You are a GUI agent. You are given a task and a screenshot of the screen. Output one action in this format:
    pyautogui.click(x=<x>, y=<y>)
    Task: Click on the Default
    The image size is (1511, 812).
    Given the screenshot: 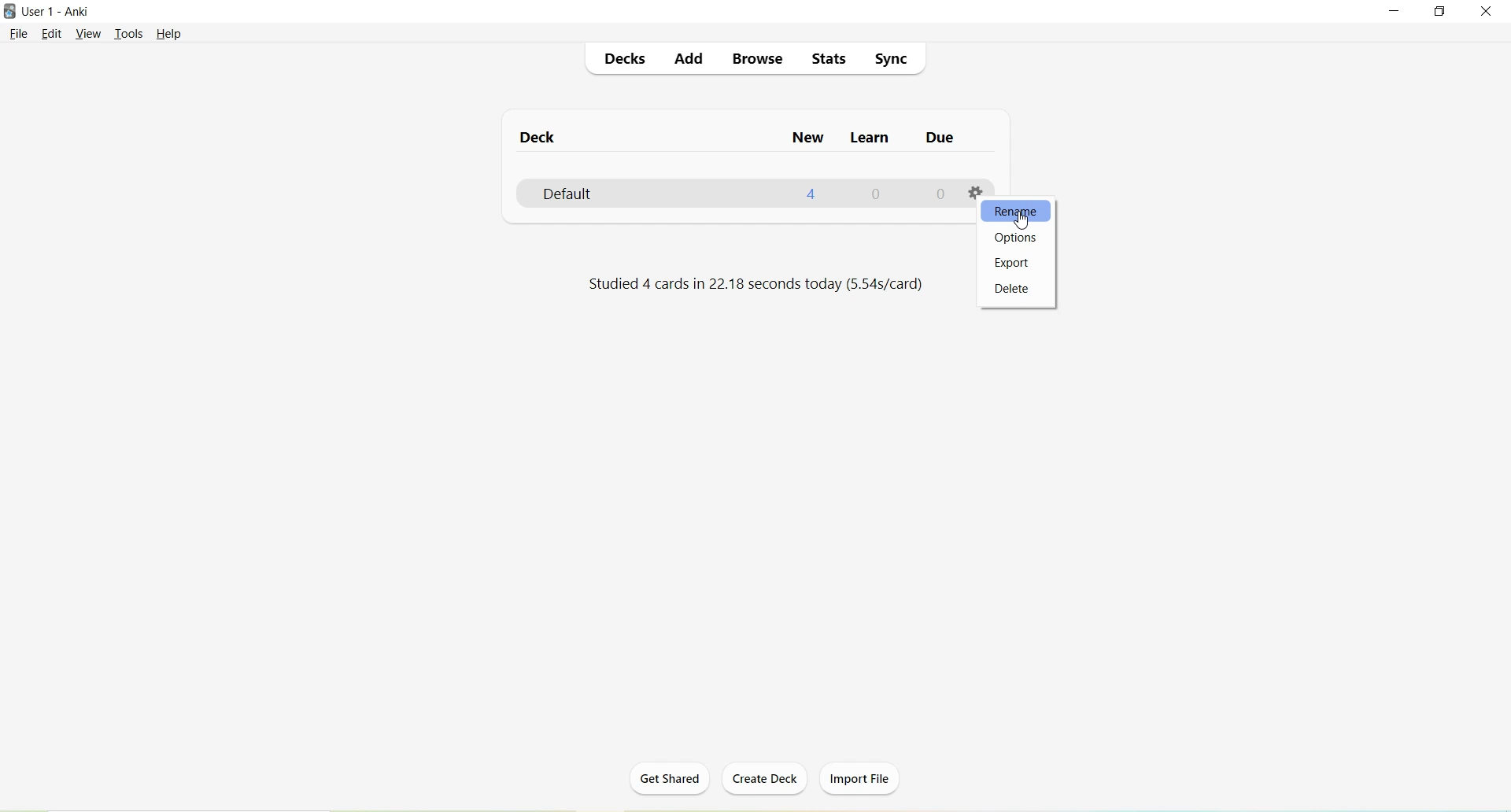 What is the action you would take?
    pyautogui.click(x=593, y=194)
    